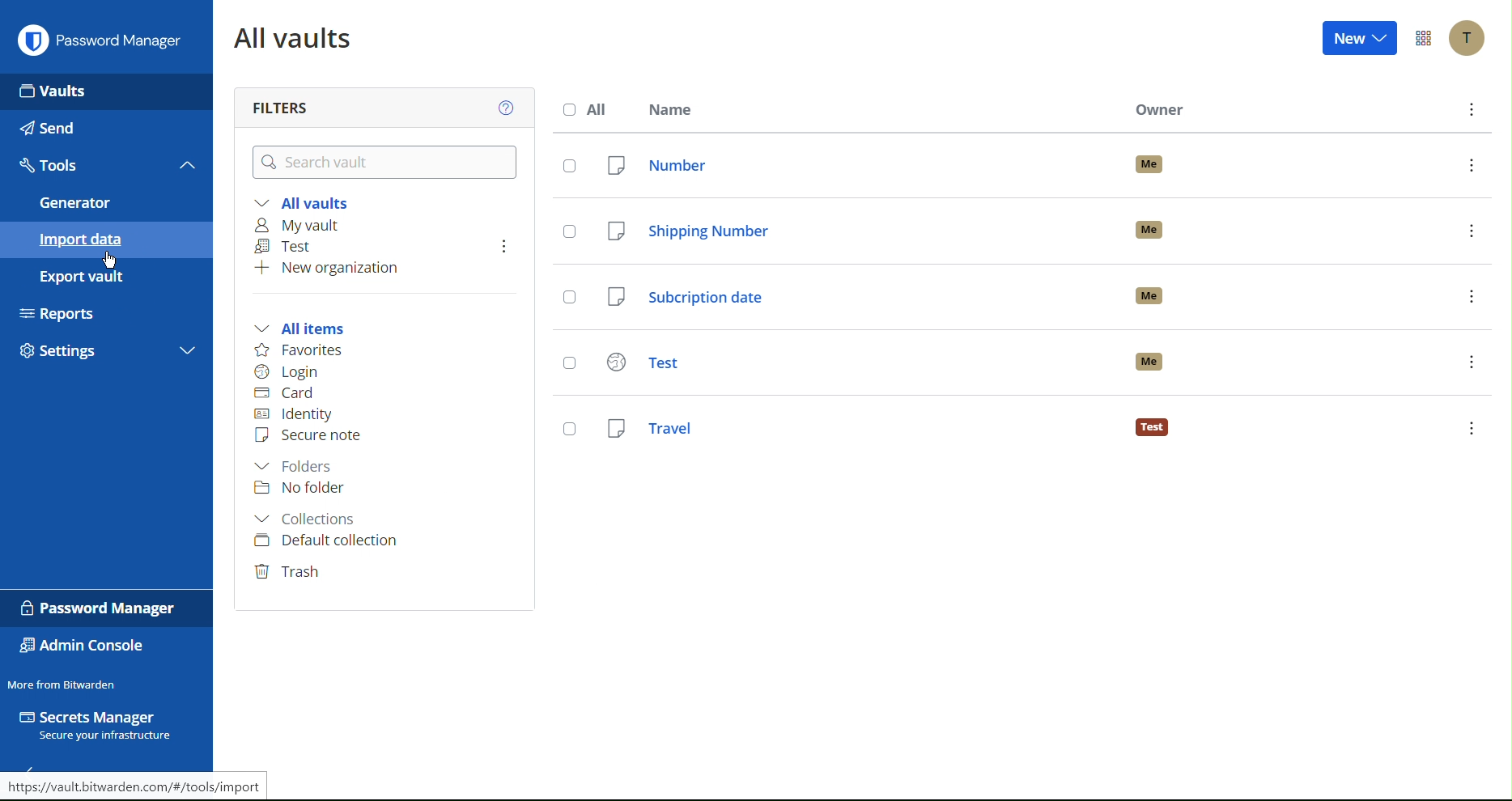 The image size is (1512, 801). I want to click on Search vault, so click(389, 163).